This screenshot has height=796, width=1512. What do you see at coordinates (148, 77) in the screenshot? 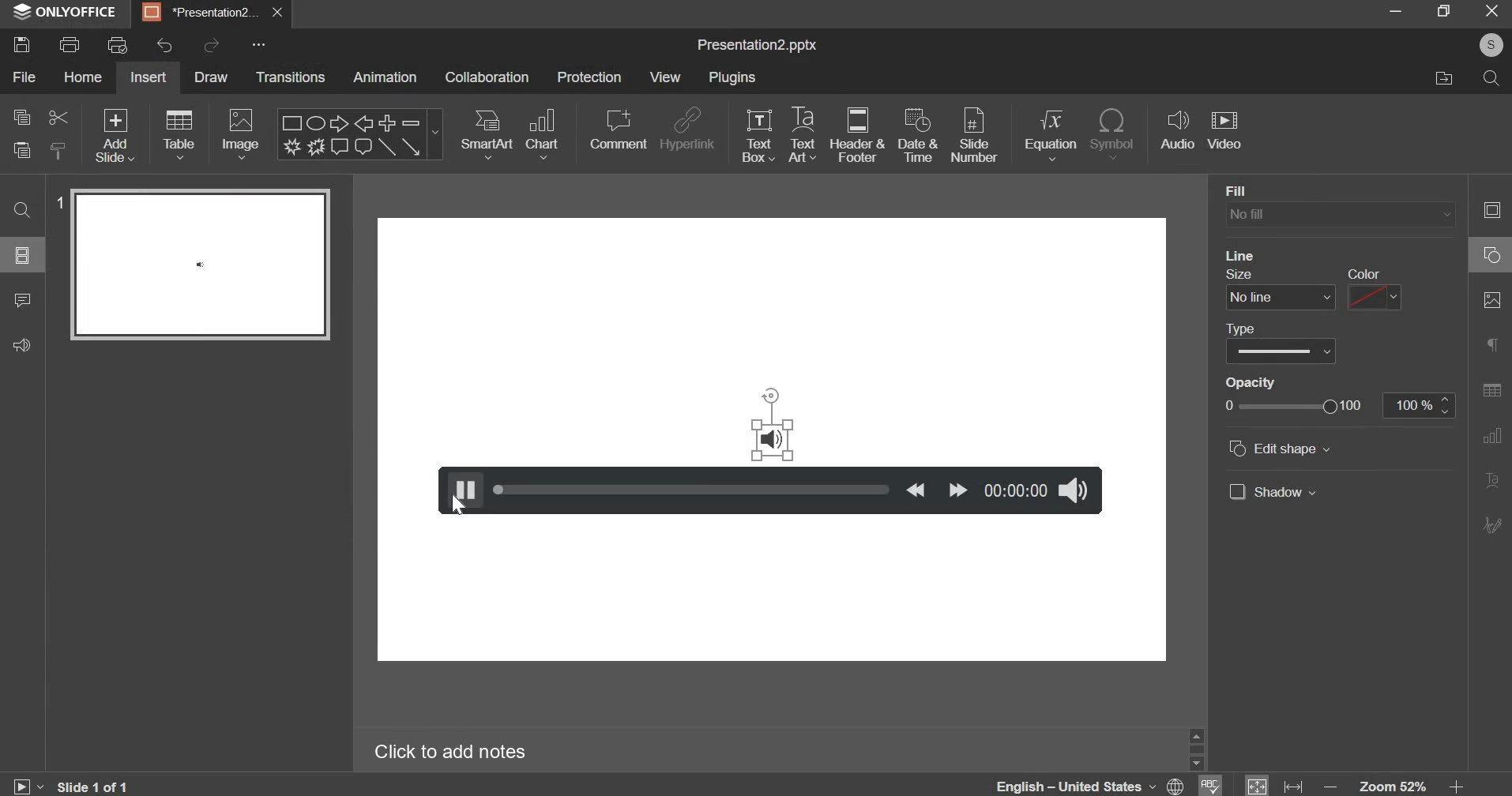
I see `insert` at bounding box center [148, 77].